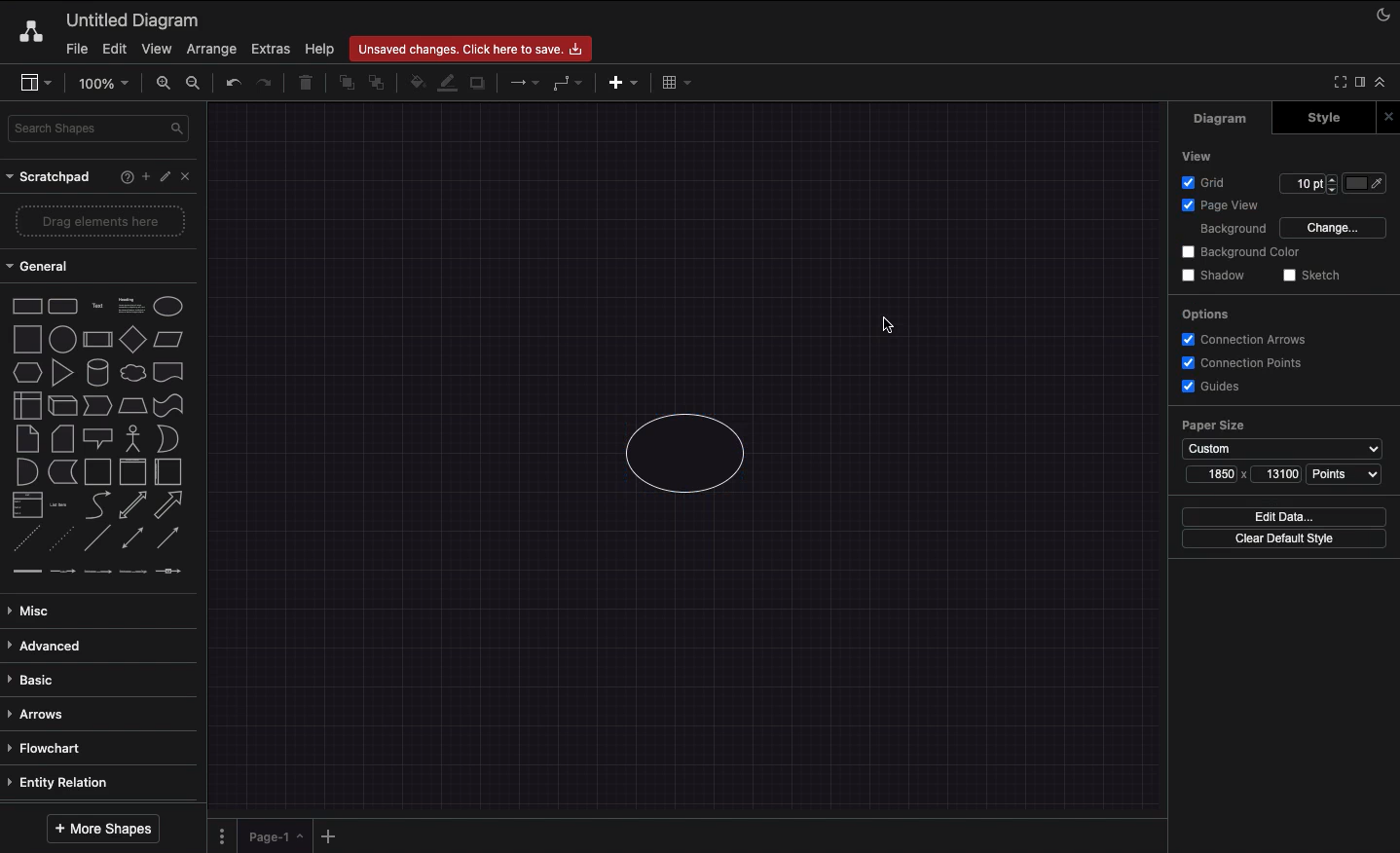  Describe the element at coordinates (346, 83) in the screenshot. I see `To front` at that location.